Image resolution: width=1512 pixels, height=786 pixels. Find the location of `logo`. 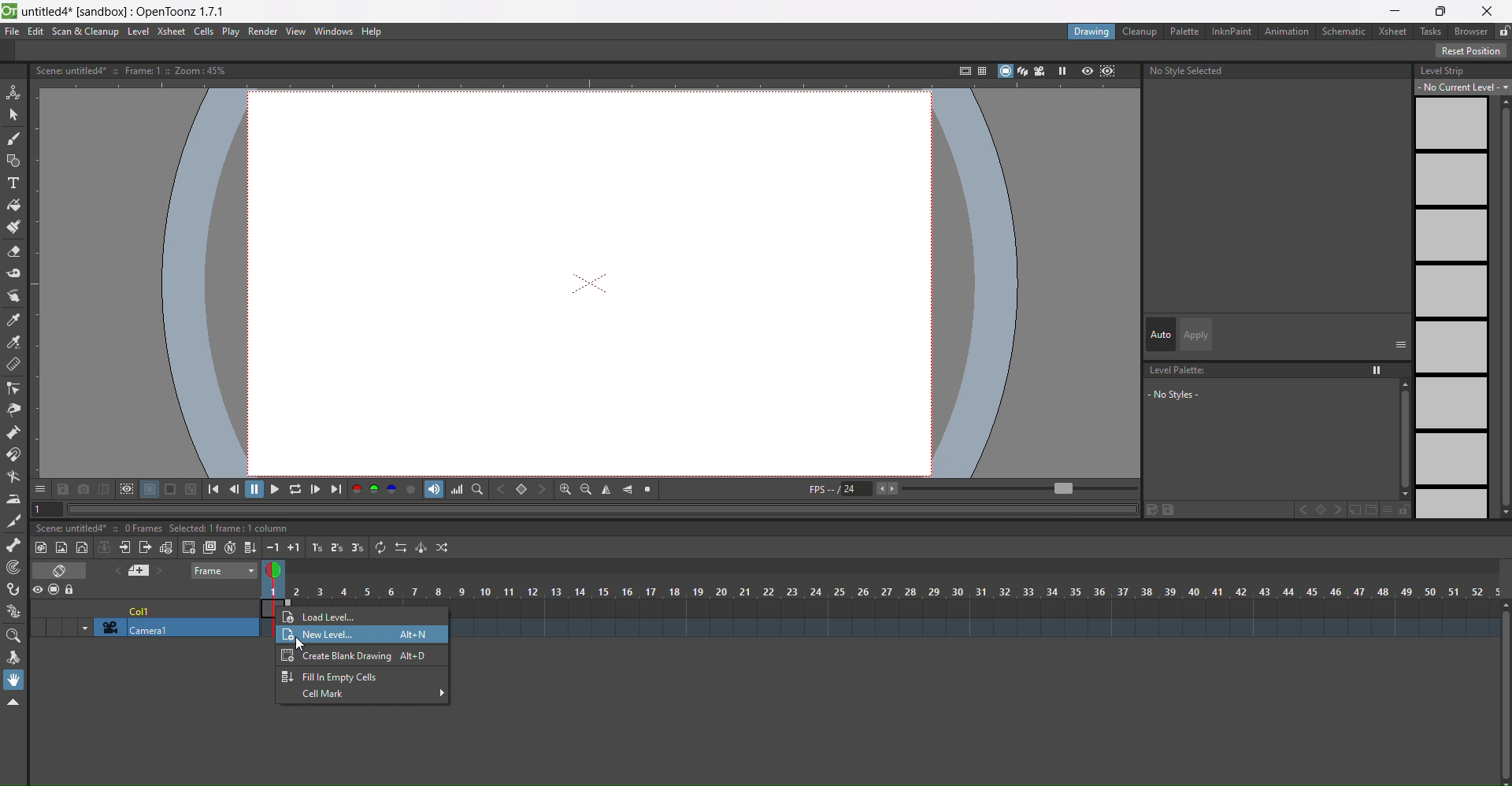

logo is located at coordinates (9, 12).